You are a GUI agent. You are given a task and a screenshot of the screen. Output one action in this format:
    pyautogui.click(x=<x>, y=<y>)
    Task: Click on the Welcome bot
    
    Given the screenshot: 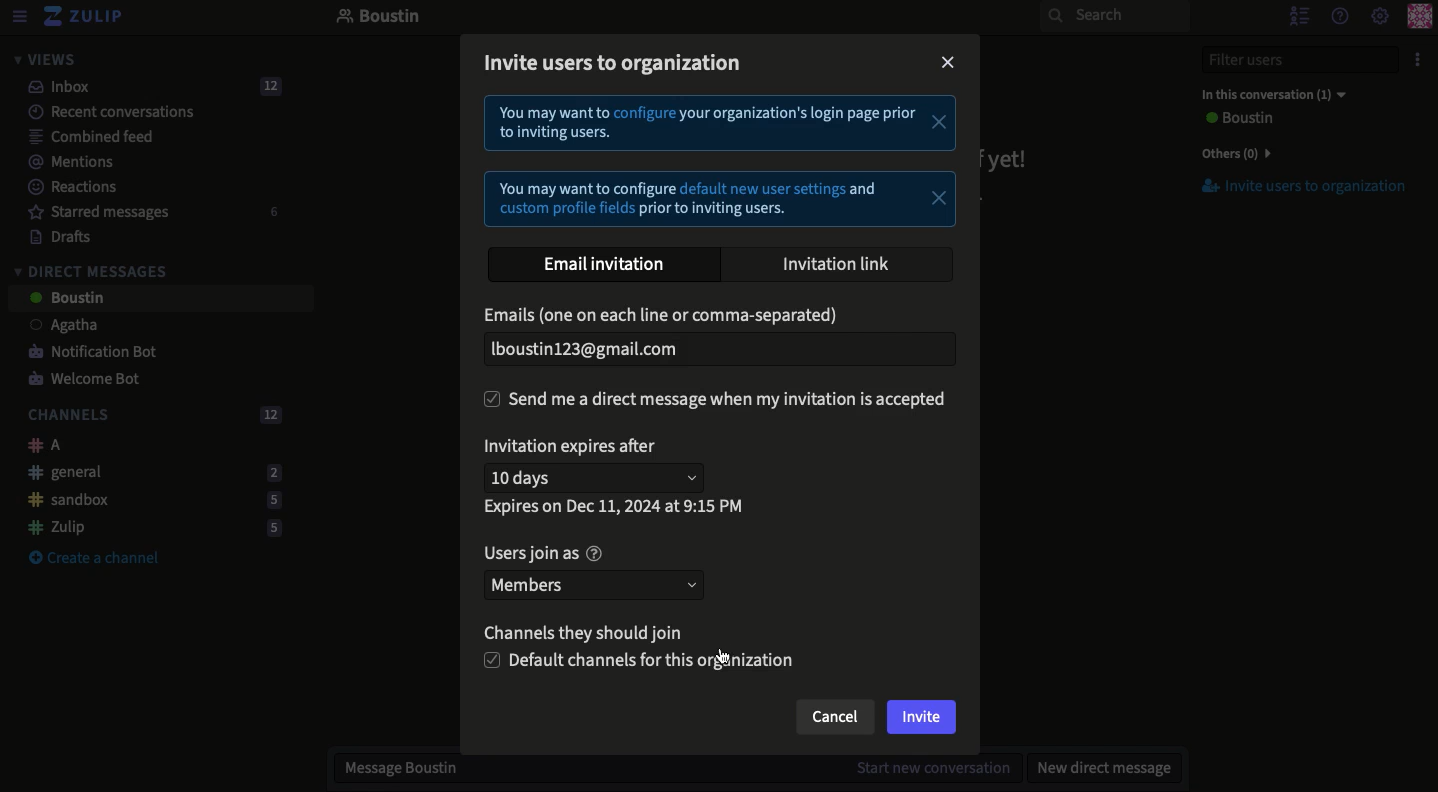 What is the action you would take?
    pyautogui.click(x=87, y=380)
    